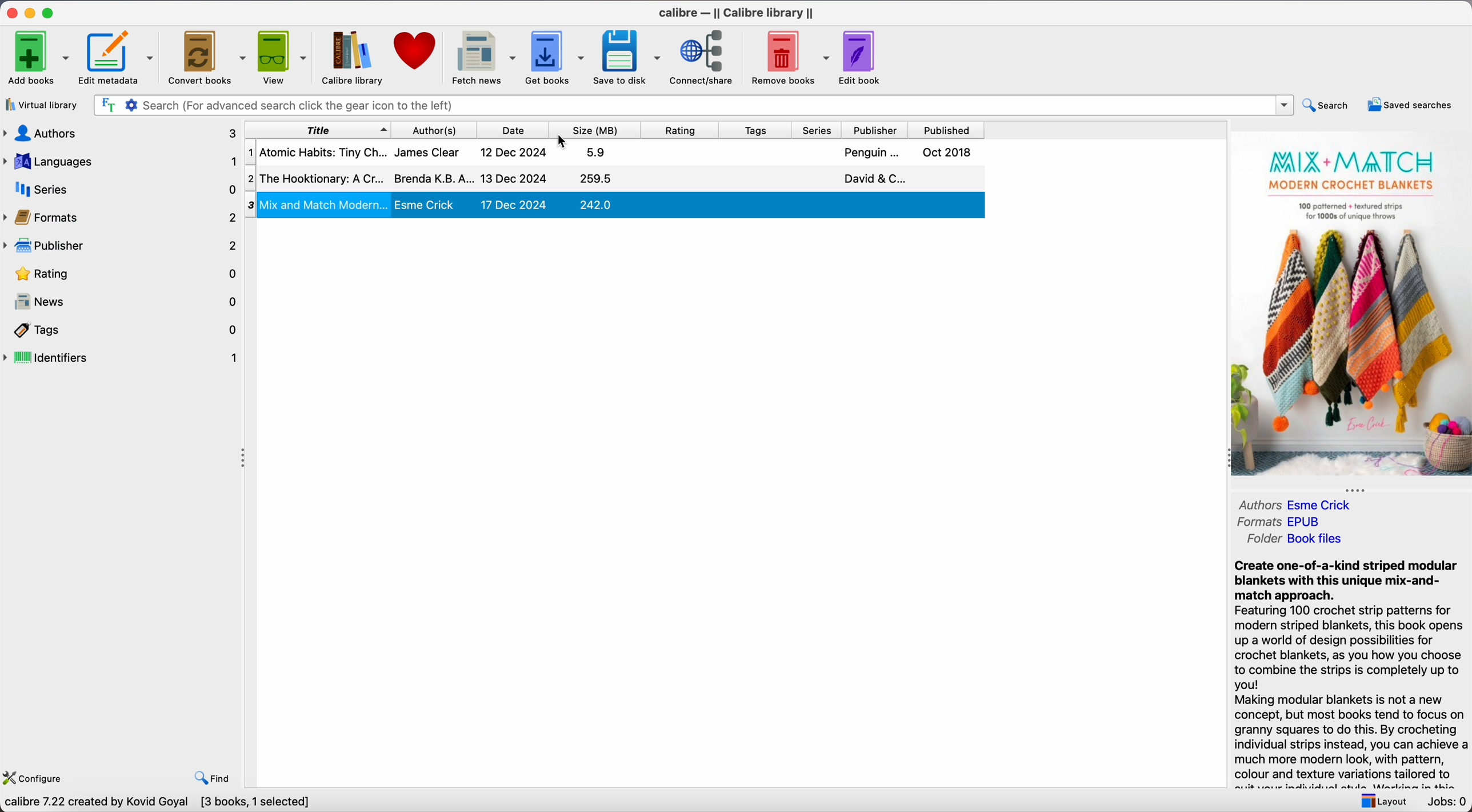 The width and height of the screenshot is (1472, 812). I want to click on search, so click(1327, 104).